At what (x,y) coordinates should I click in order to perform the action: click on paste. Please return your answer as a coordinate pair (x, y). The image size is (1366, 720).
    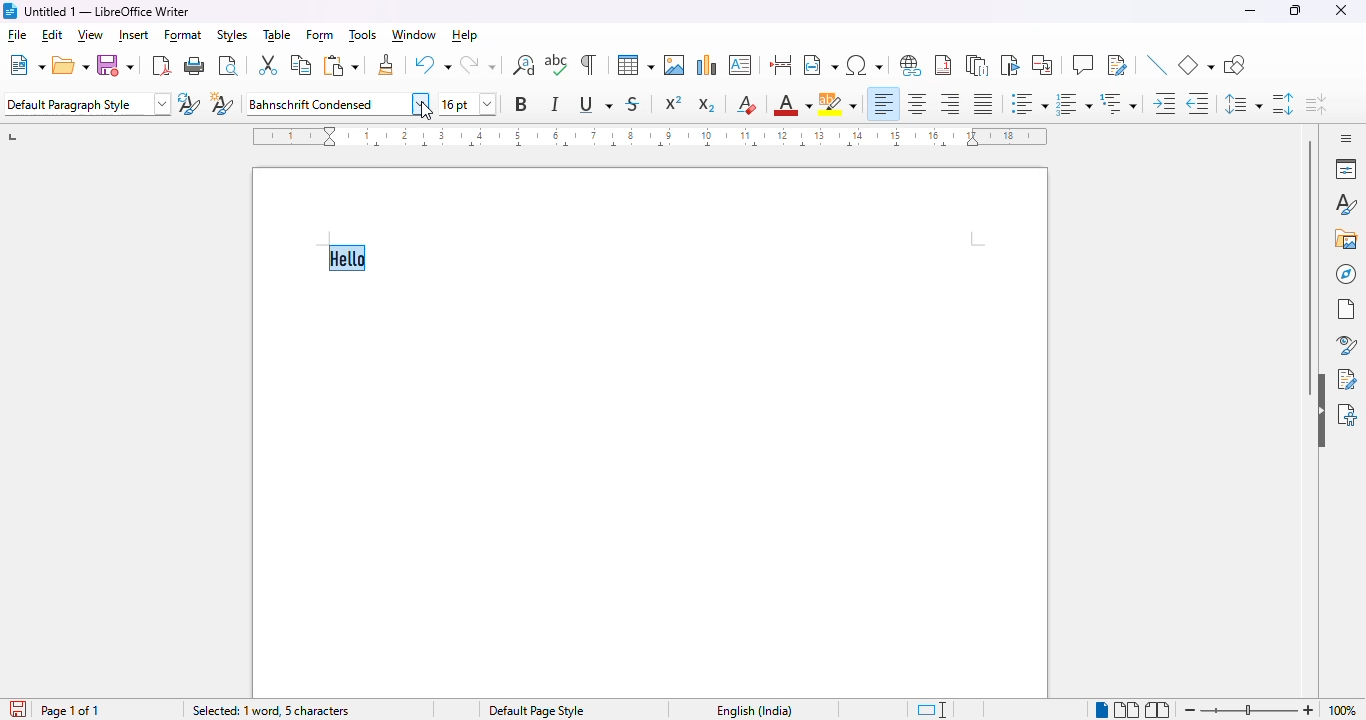
    Looking at the image, I should click on (342, 65).